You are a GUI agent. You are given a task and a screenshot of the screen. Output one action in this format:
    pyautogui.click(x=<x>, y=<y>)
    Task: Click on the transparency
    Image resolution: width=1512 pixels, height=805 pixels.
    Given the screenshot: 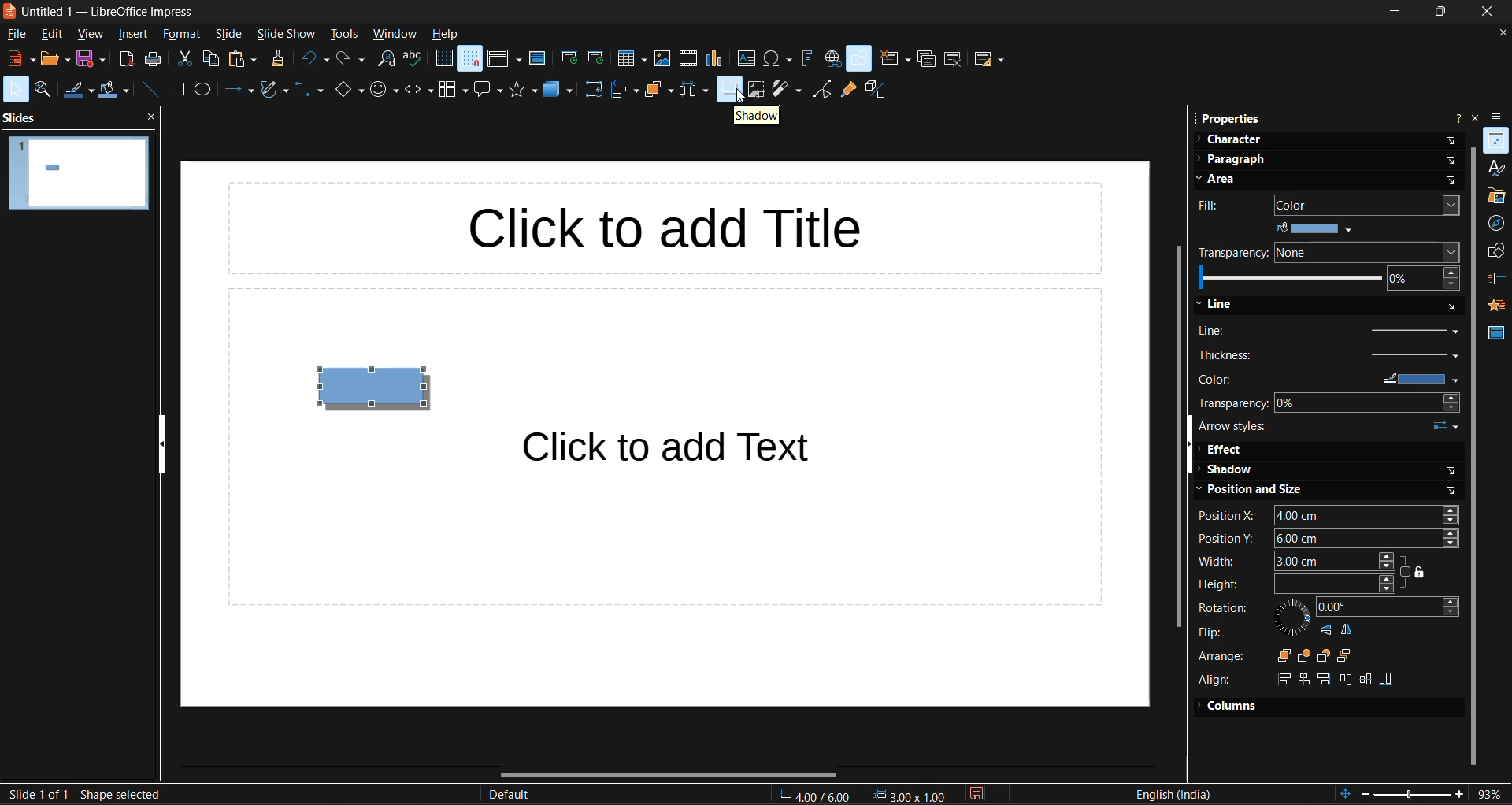 What is the action you would take?
    pyautogui.click(x=1230, y=254)
    